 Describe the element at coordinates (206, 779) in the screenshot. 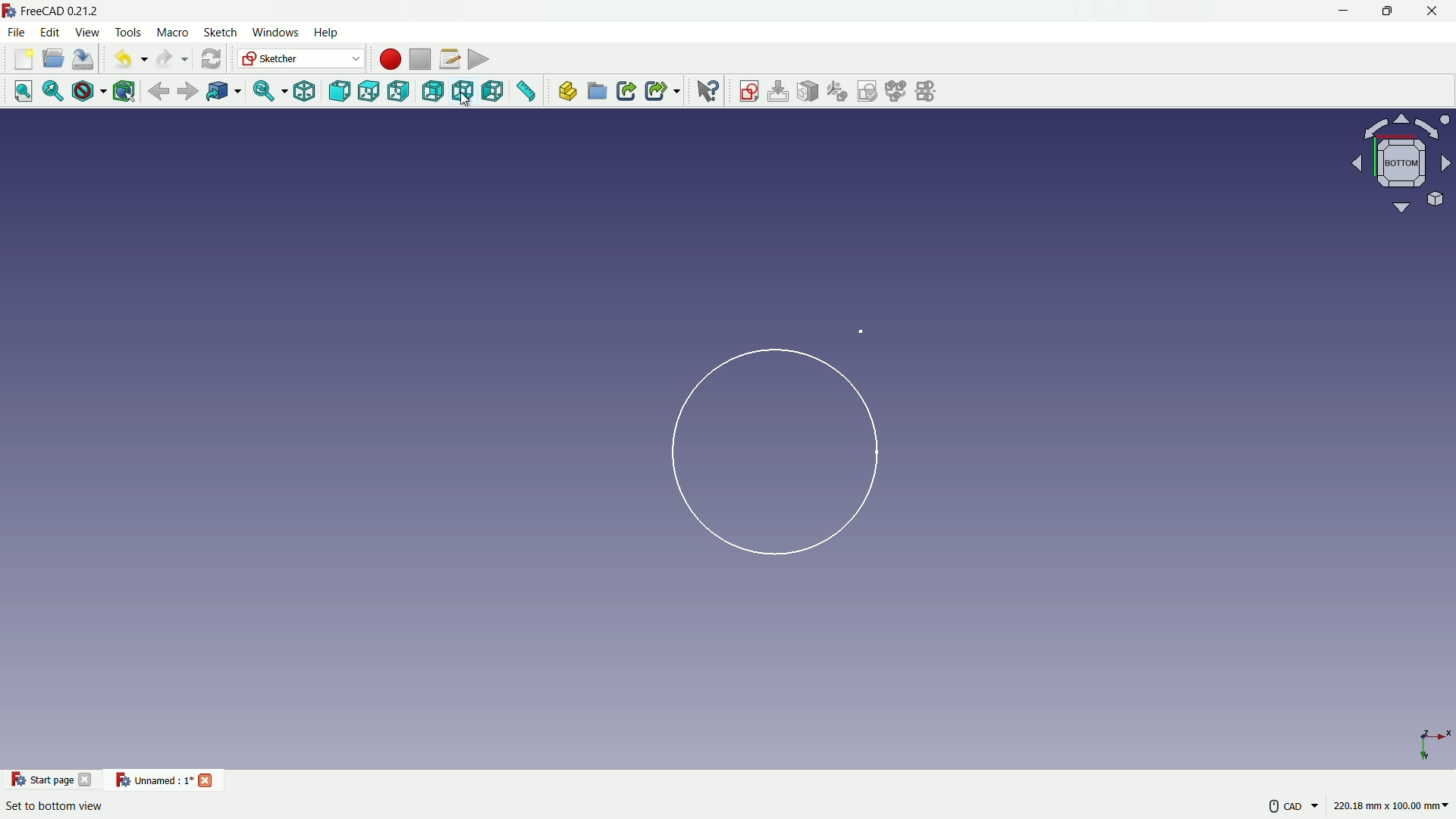

I see `close file` at that location.